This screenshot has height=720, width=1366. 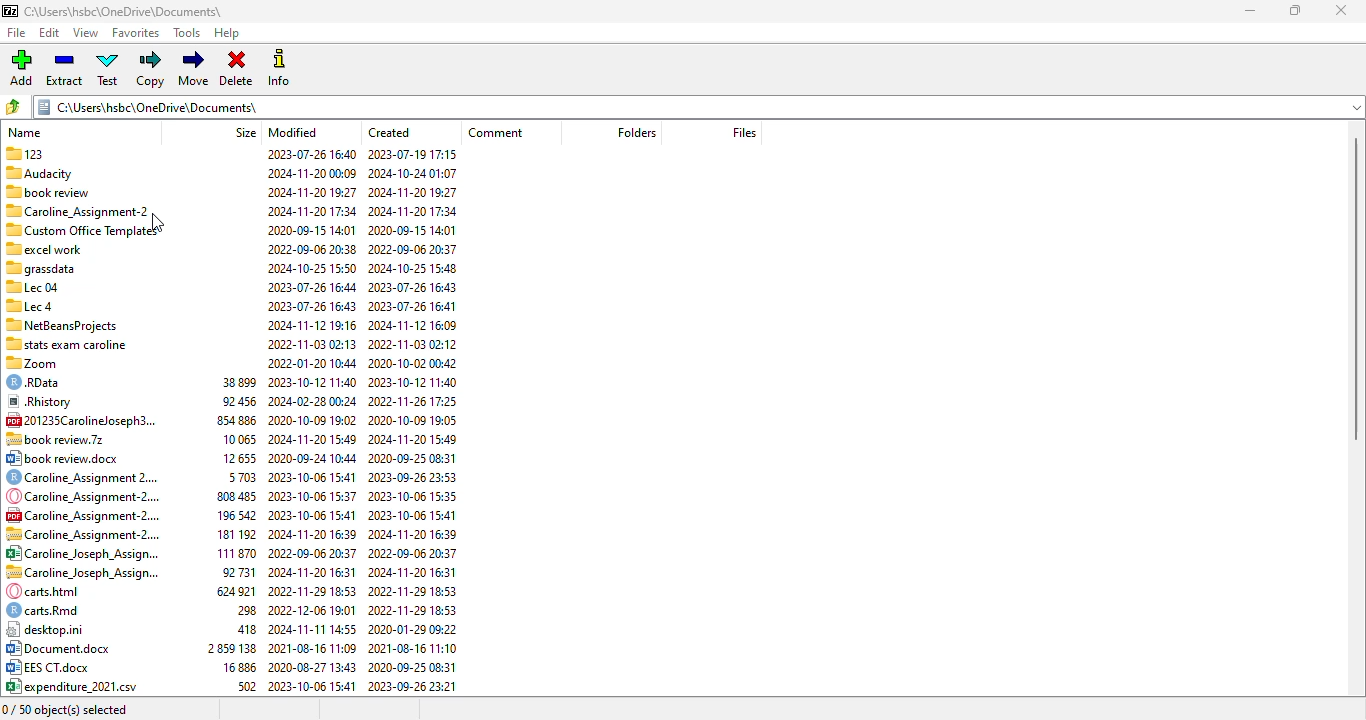 What do you see at coordinates (409, 610) in the screenshot?
I see `2022-11-2918:53` at bounding box center [409, 610].